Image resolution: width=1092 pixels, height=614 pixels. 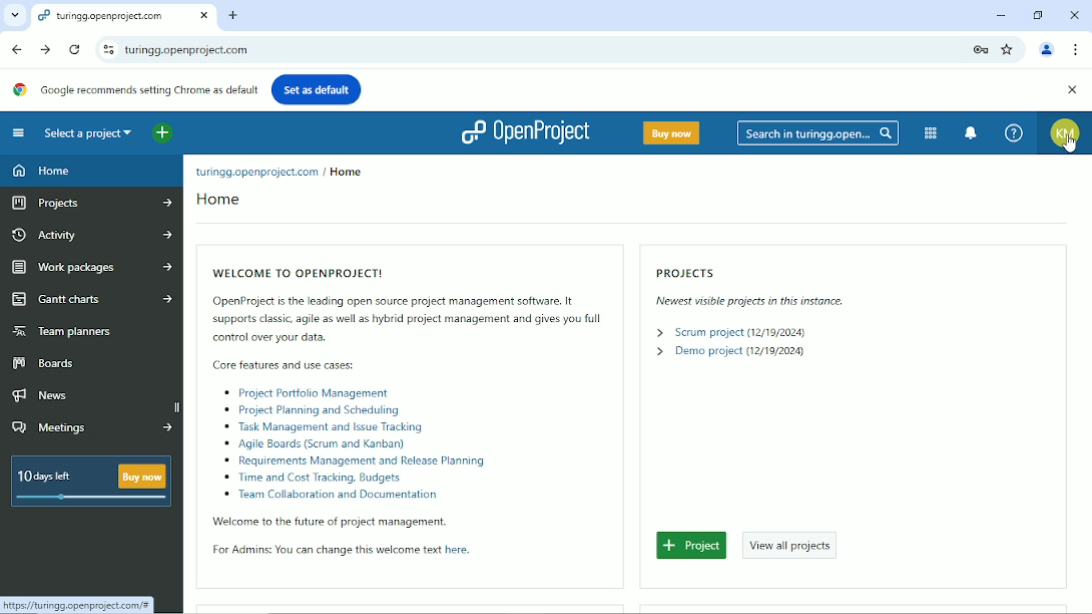 I want to click on location: tunngg.openproject.com / Home, so click(x=276, y=172).